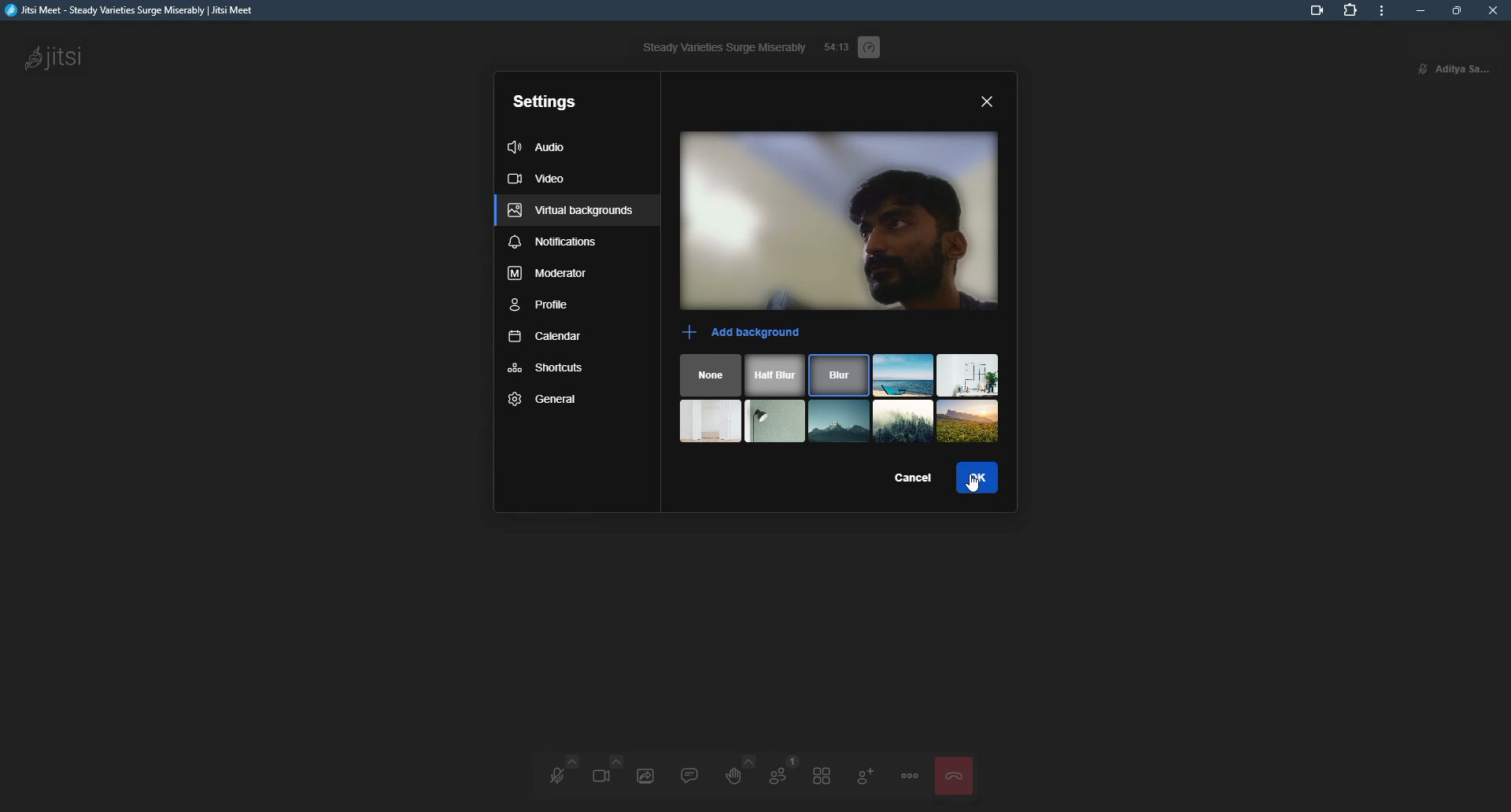  Describe the element at coordinates (52, 55) in the screenshot. I see `jitsi` at that location.